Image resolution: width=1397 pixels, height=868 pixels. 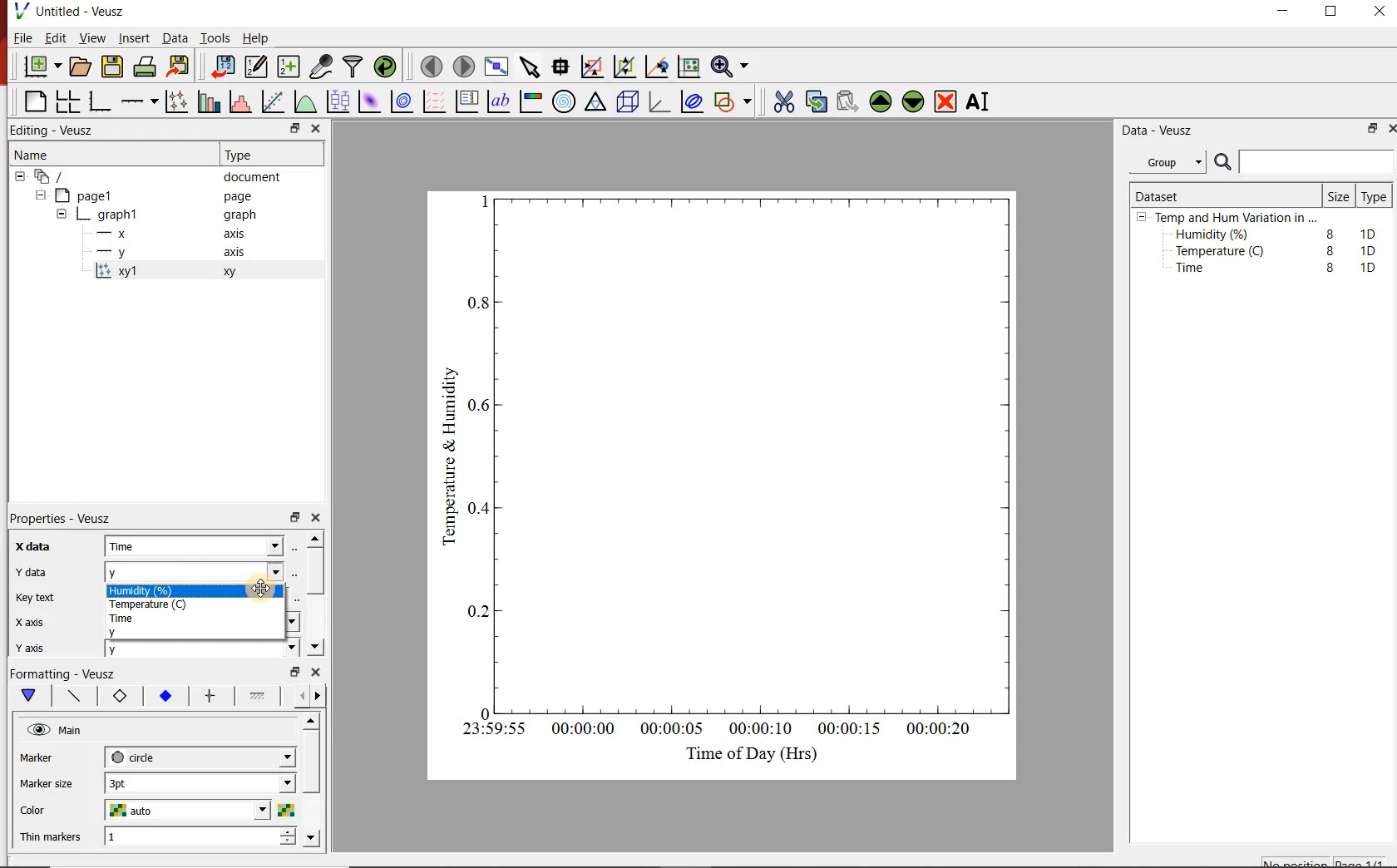 What do you see at coordinates (1296, 862) in the screenshot?
I see `No position` at bounding box center [1296, 862].